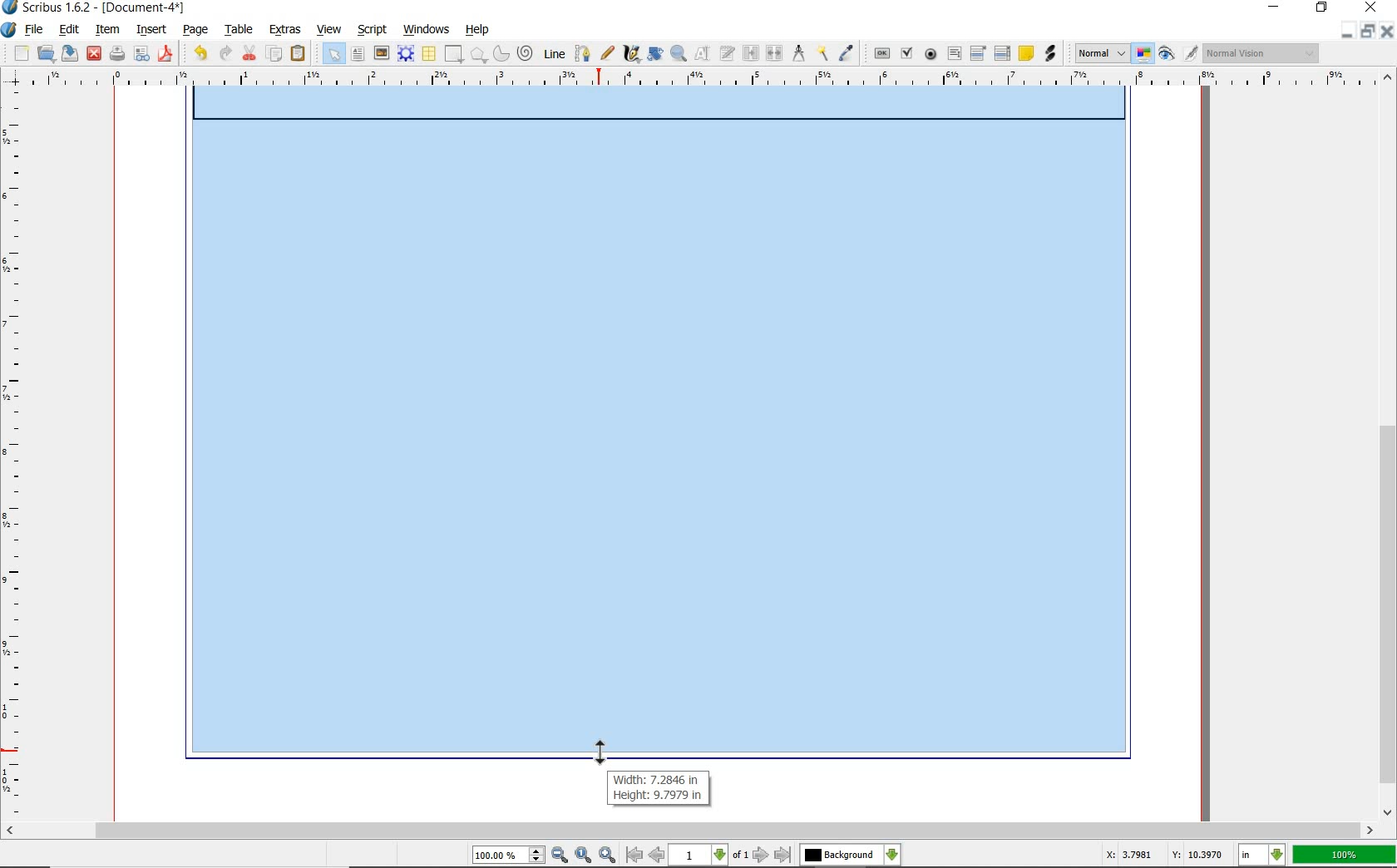  What do you see at coordinates (250, 52) in the screenshot?
I see `cut` at bounding box center [250, 52].